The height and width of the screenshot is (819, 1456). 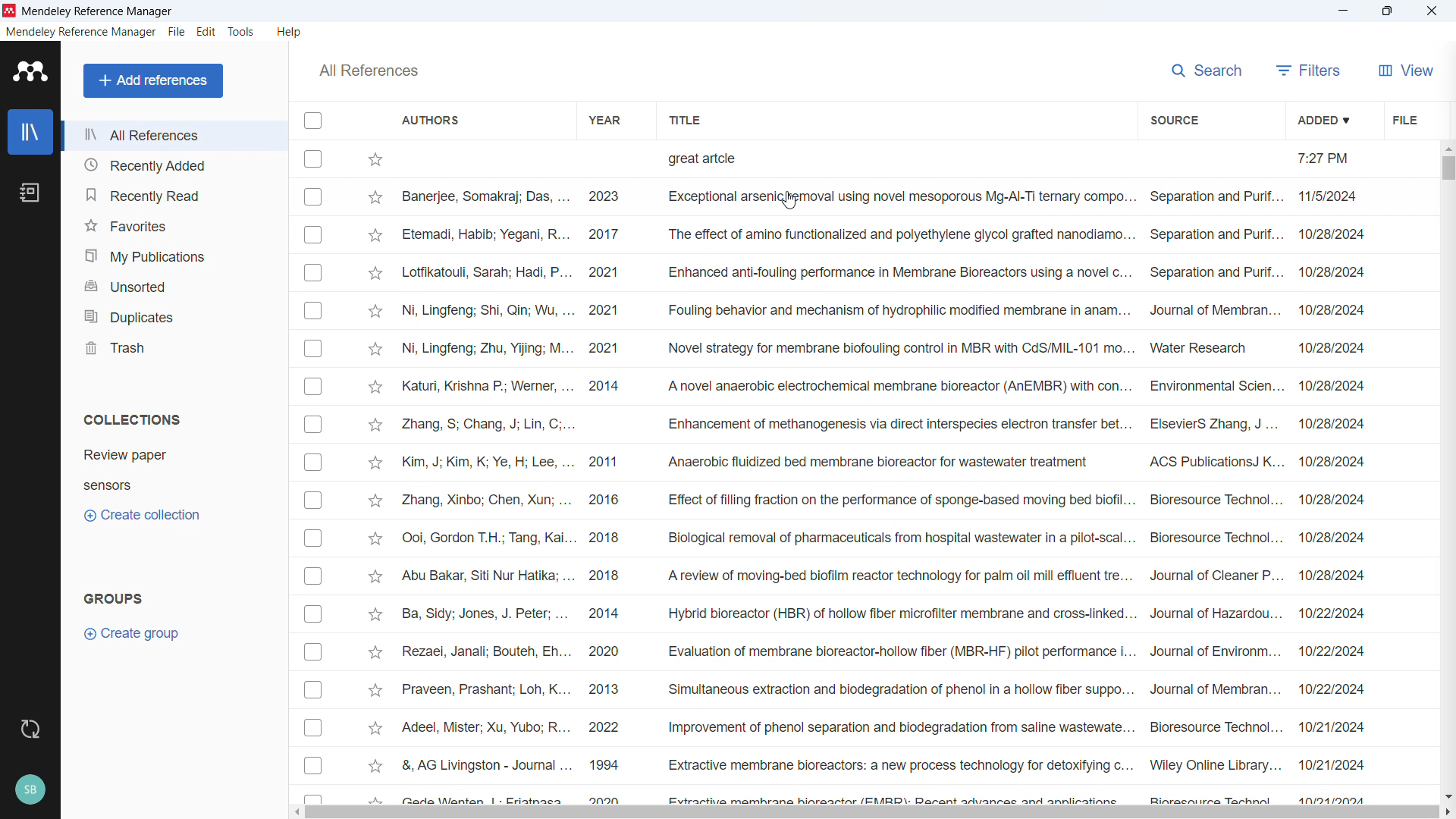 I want to click on tools, so click(x=241, y=32).